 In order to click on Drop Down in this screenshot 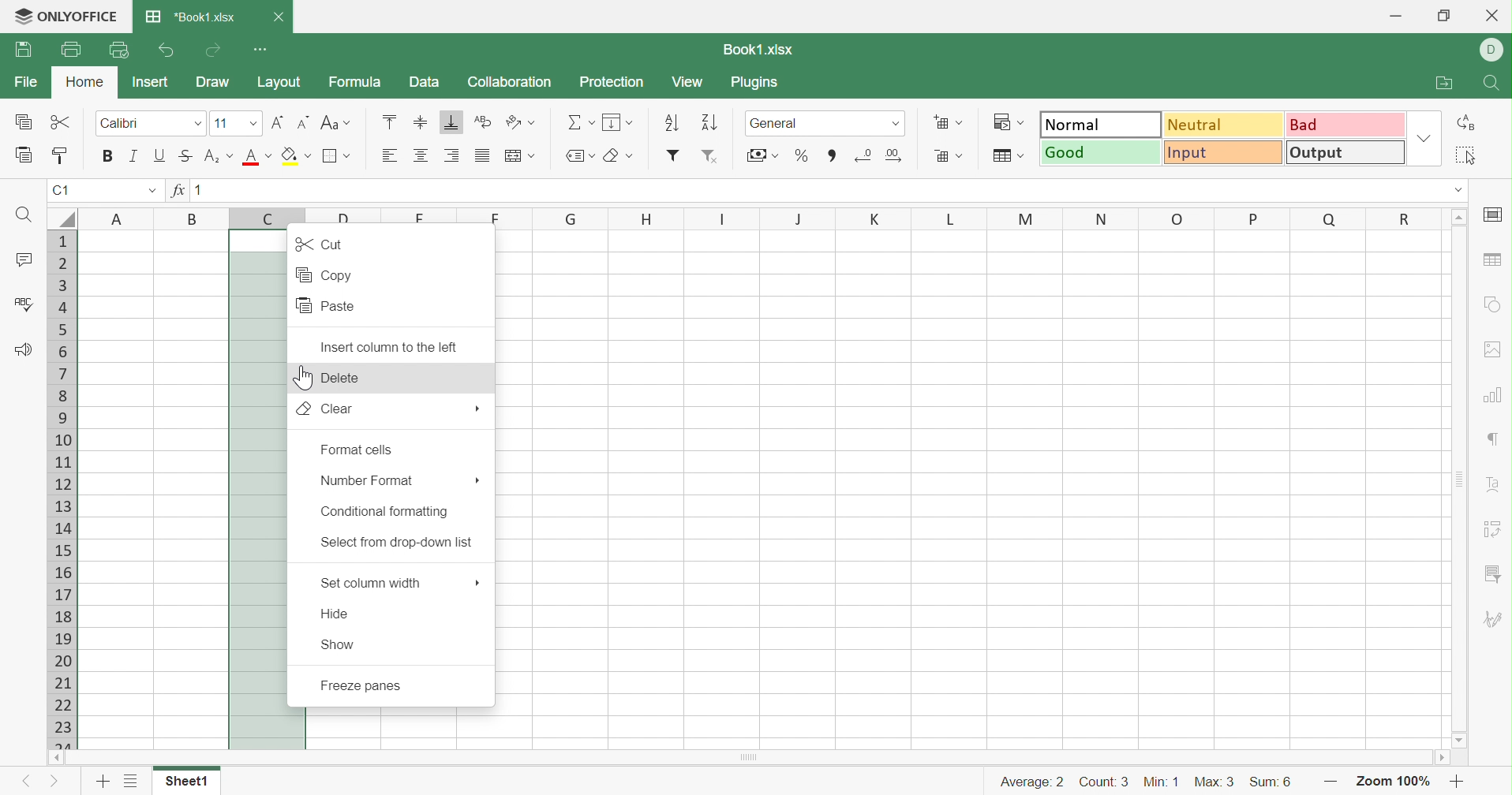, I will do `click(151, 192)`.